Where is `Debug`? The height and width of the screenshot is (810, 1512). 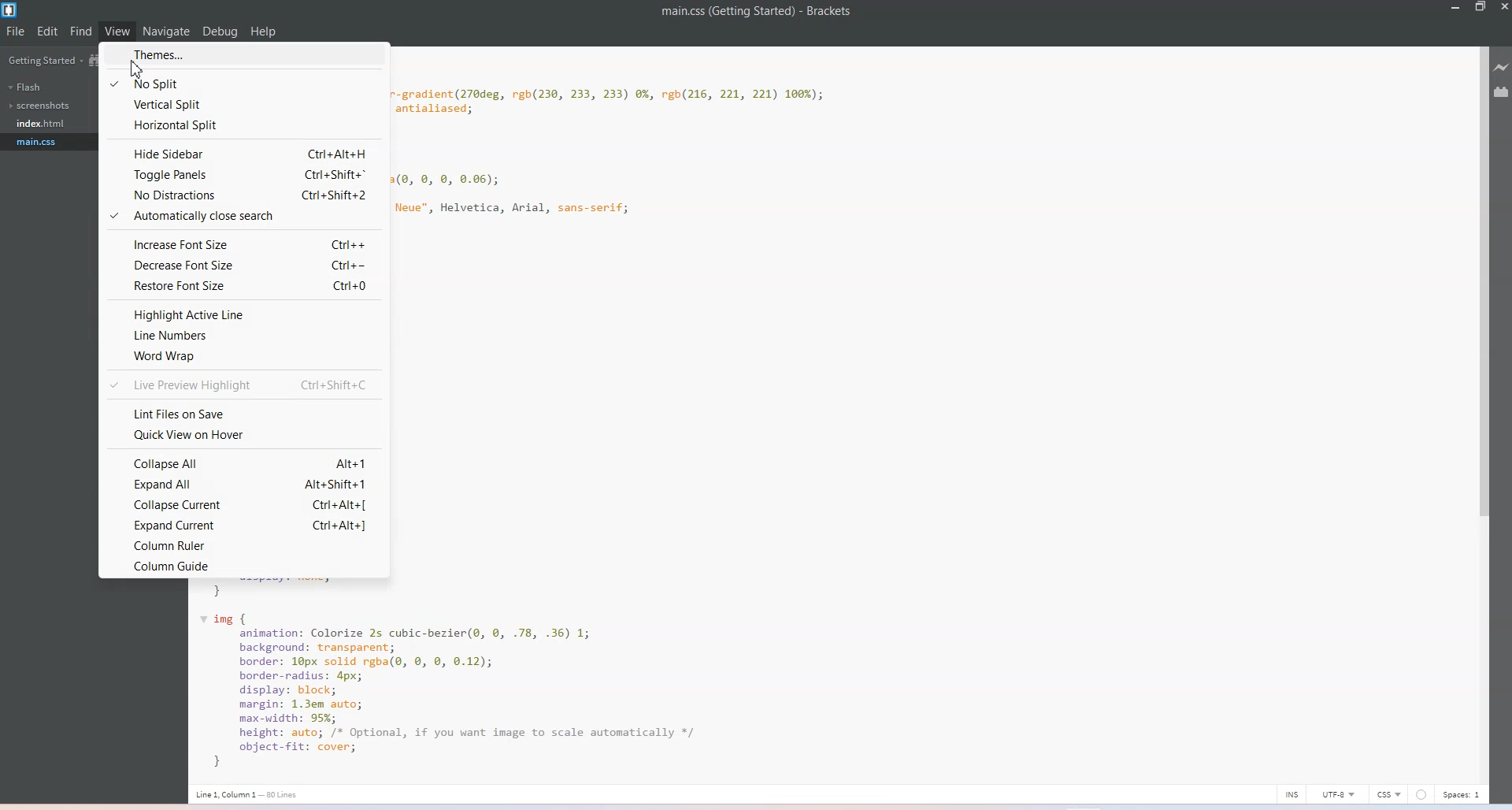
Debug is located at coordinates (220, 32).